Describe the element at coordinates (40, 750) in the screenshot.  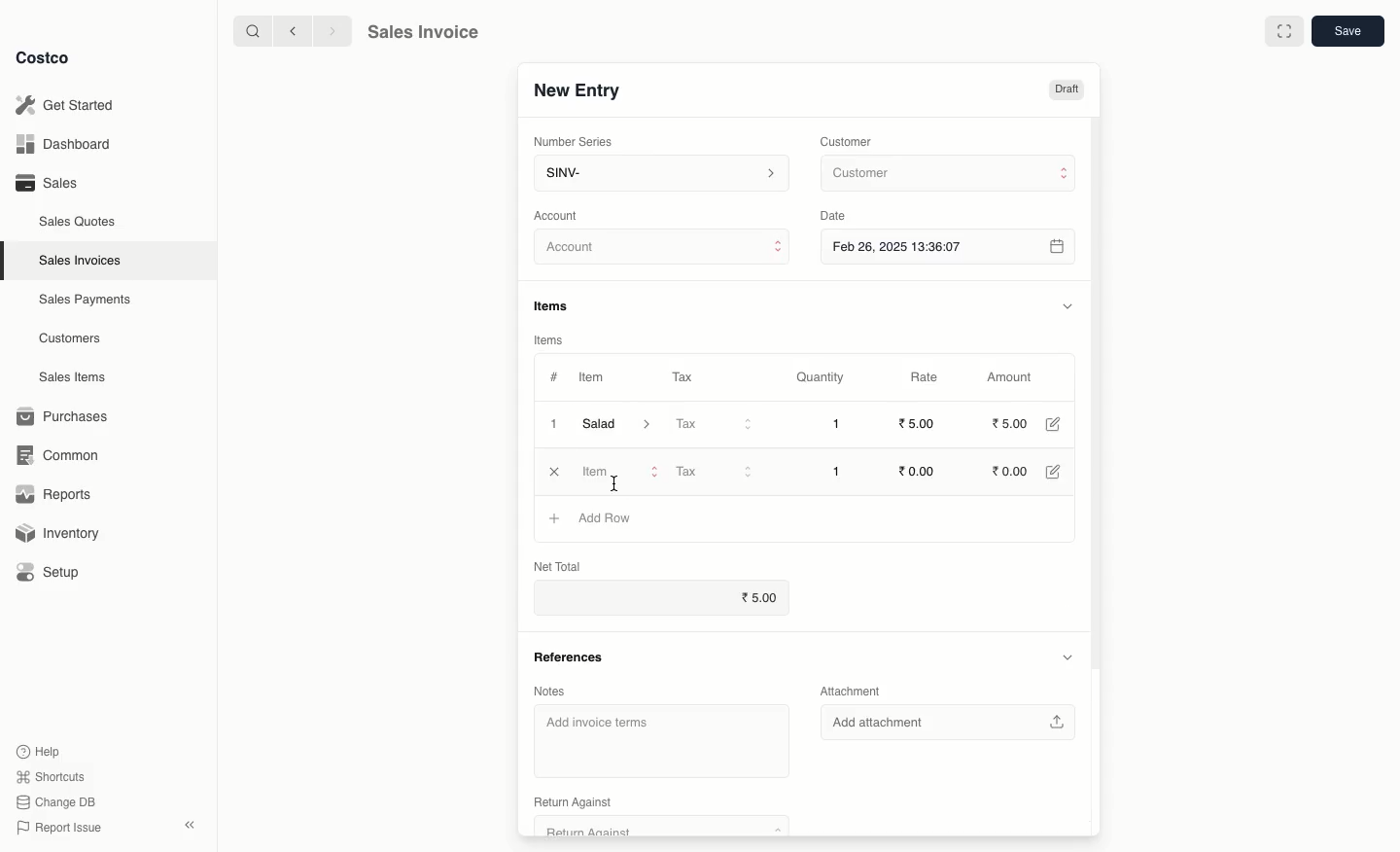
I see `Help` at that location.